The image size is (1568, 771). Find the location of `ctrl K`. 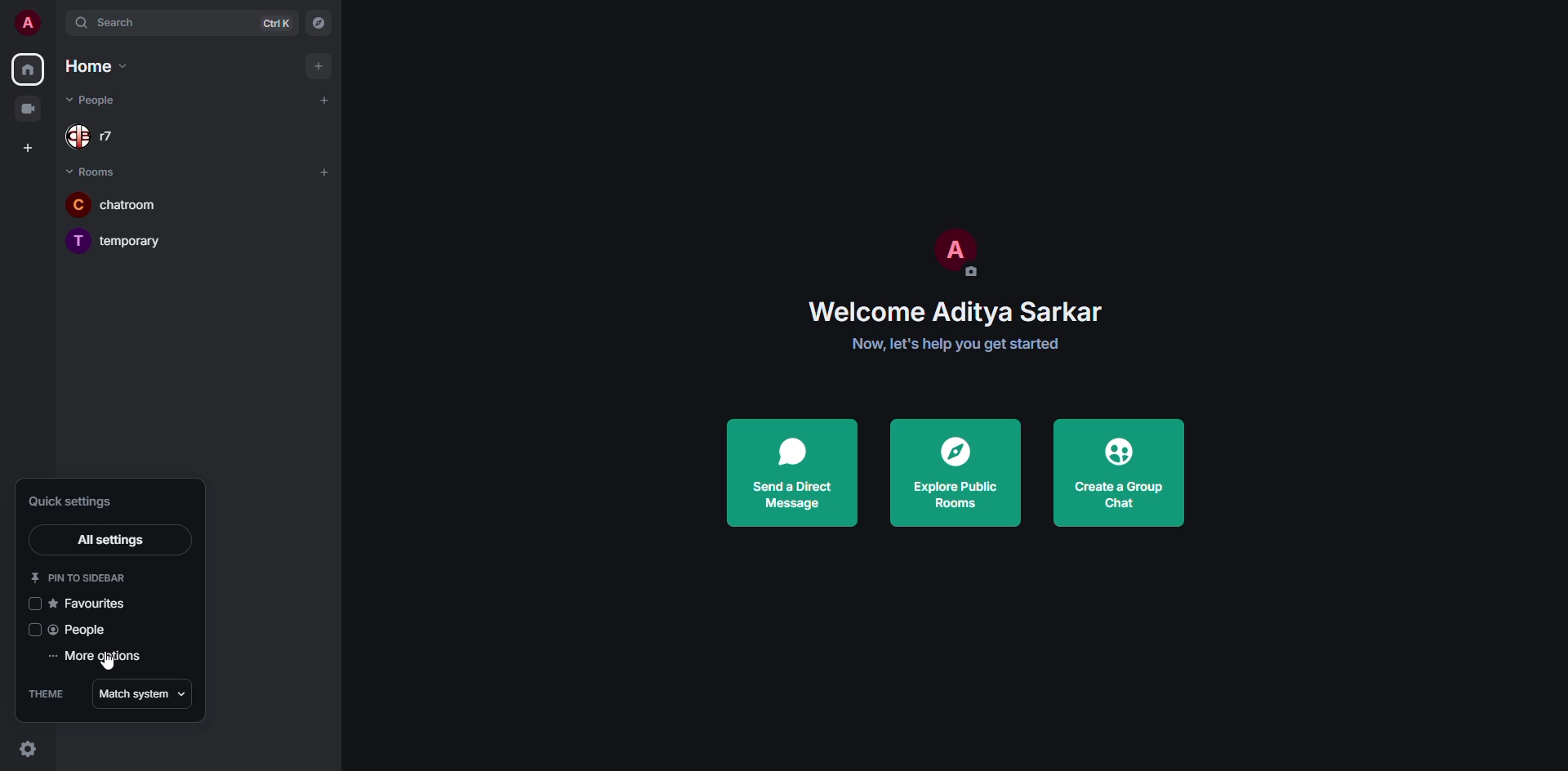

ctrl K is located at coordinates (277, 24).